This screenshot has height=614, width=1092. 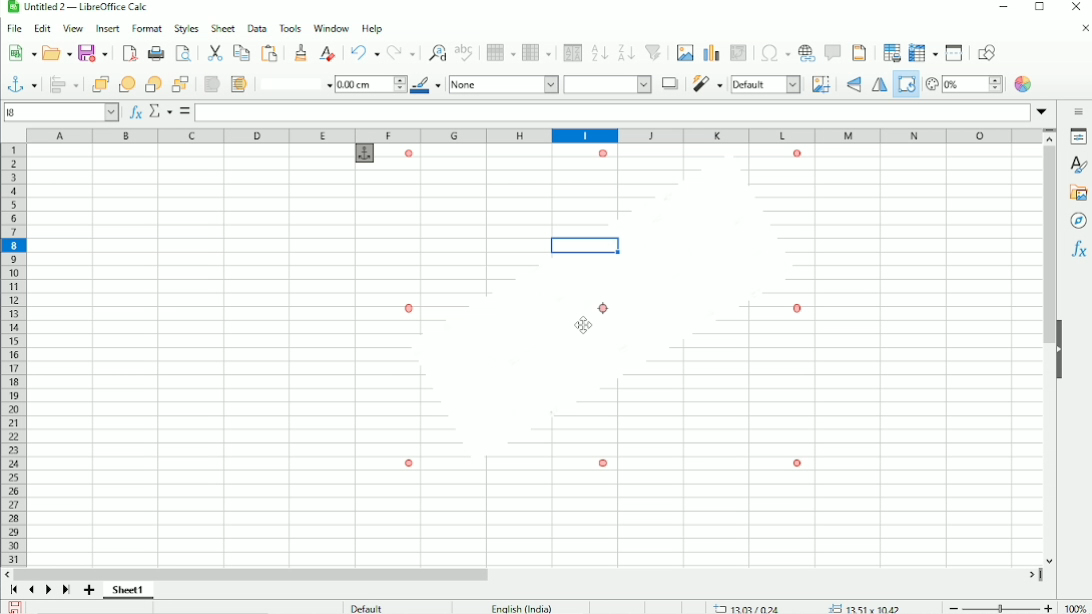 I want to click on Flip horizontally, so click(x=877, y=85).